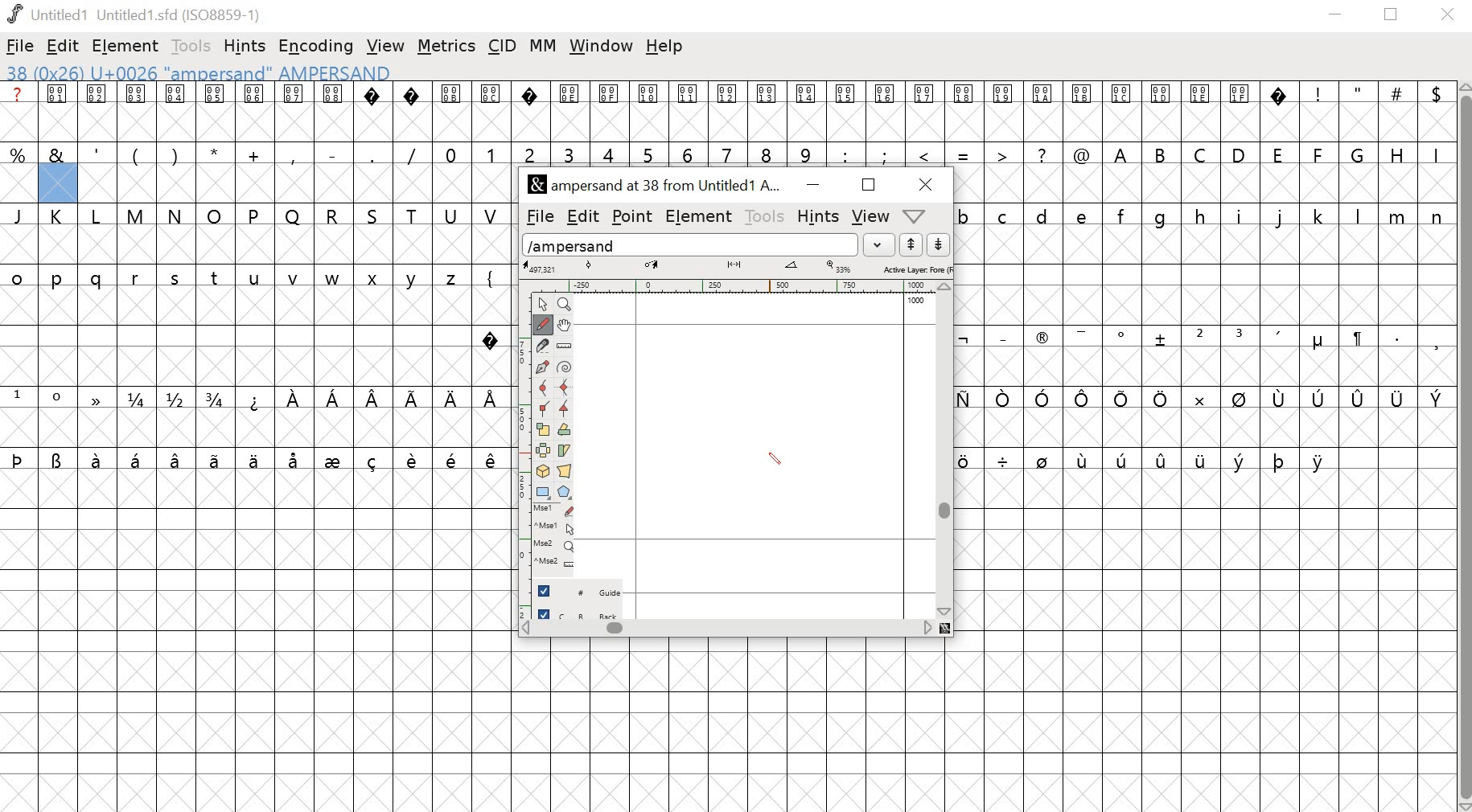 The height and width of the screenshot is (812, 1472). I want to click on f, so click(1125, 215).